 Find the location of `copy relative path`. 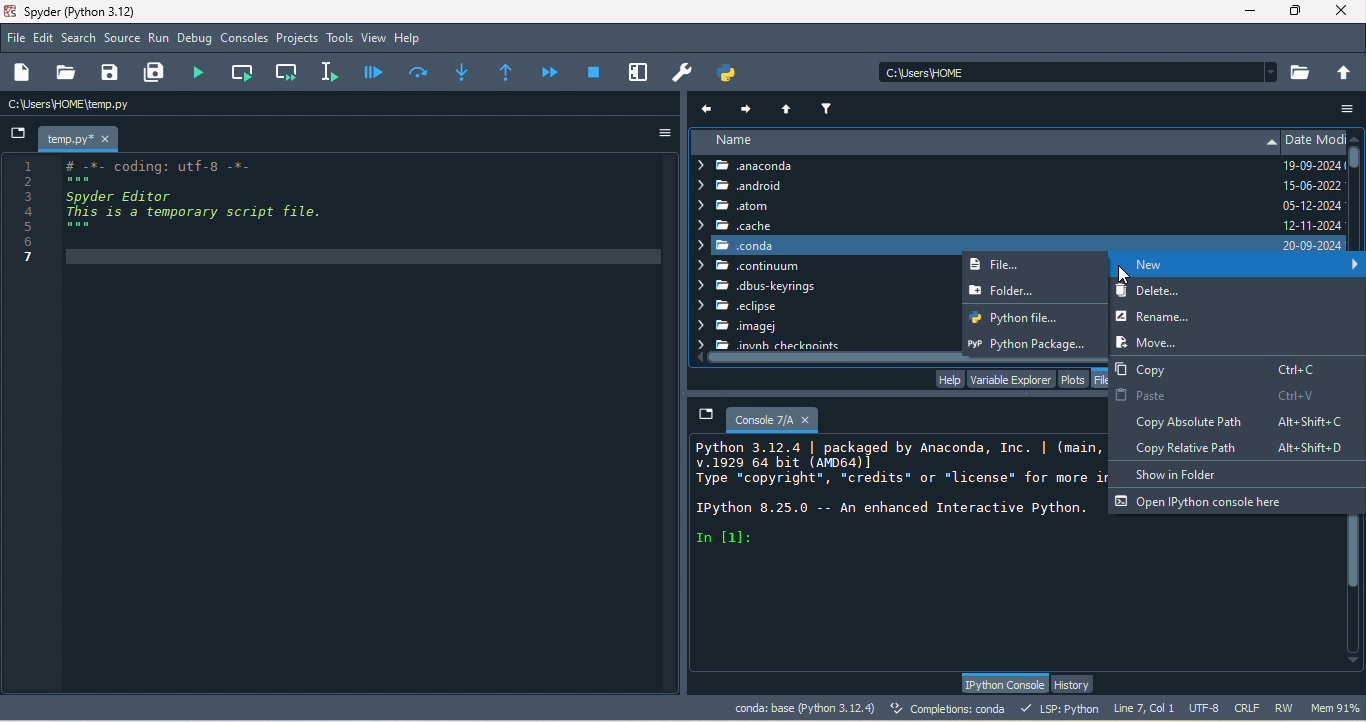

copy relative path is located at coordinates (1246, 448).